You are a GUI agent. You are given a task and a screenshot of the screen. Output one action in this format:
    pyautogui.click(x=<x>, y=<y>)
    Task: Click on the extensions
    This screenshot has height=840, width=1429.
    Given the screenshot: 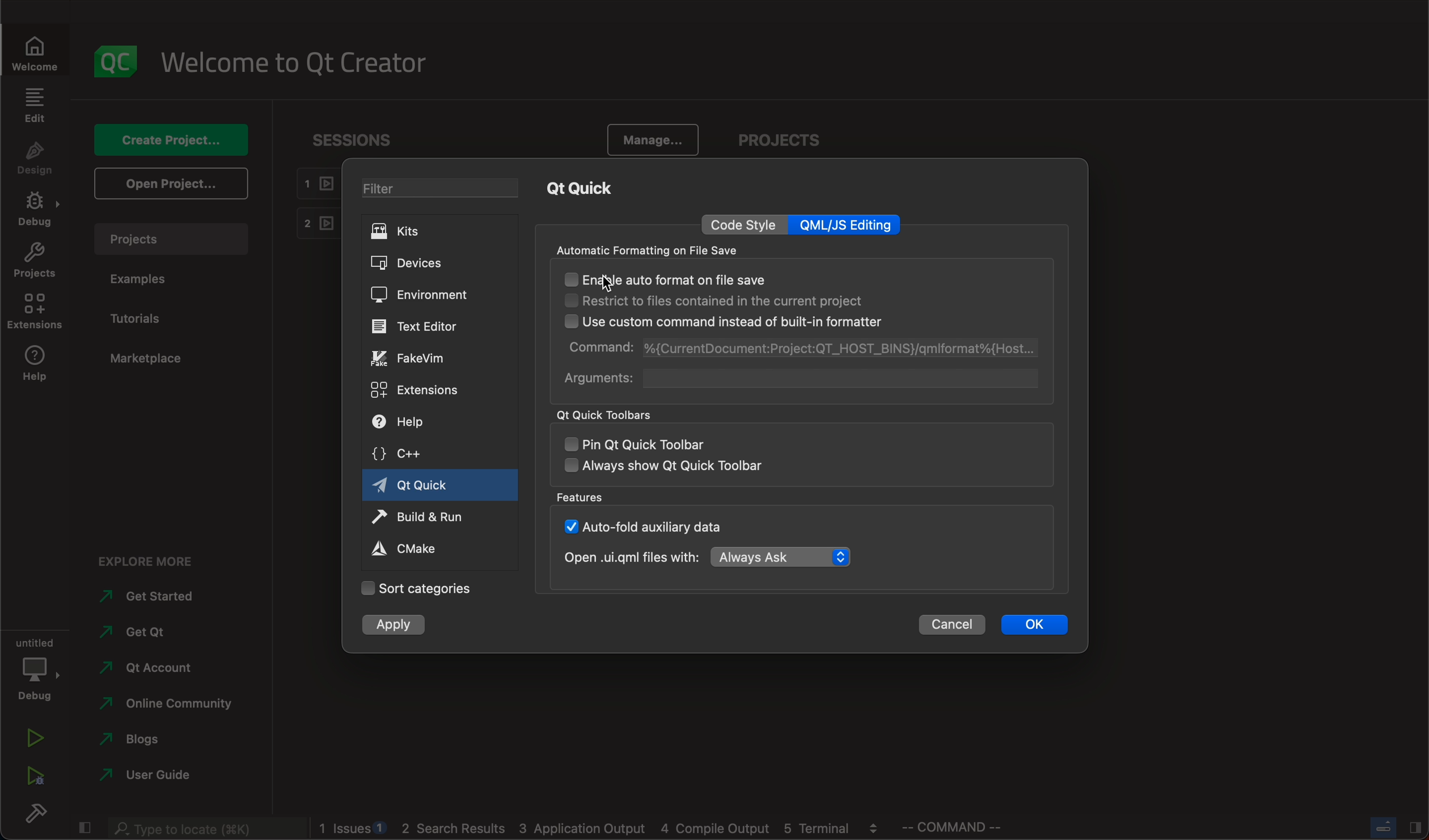 What is the action you would take?
    pyautogui.click(x=418, y=392)
    